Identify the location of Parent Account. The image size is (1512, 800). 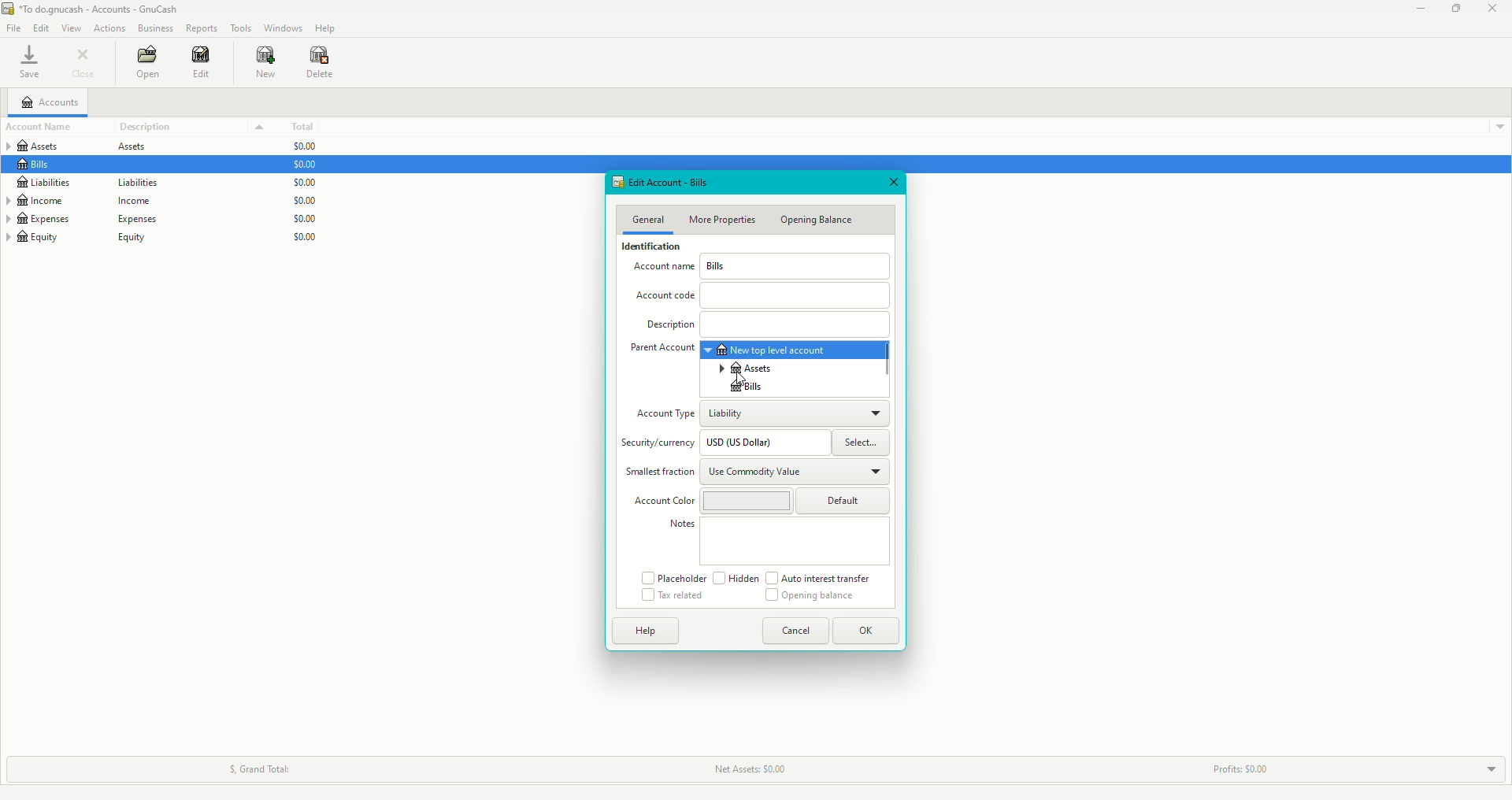
(661, 350).